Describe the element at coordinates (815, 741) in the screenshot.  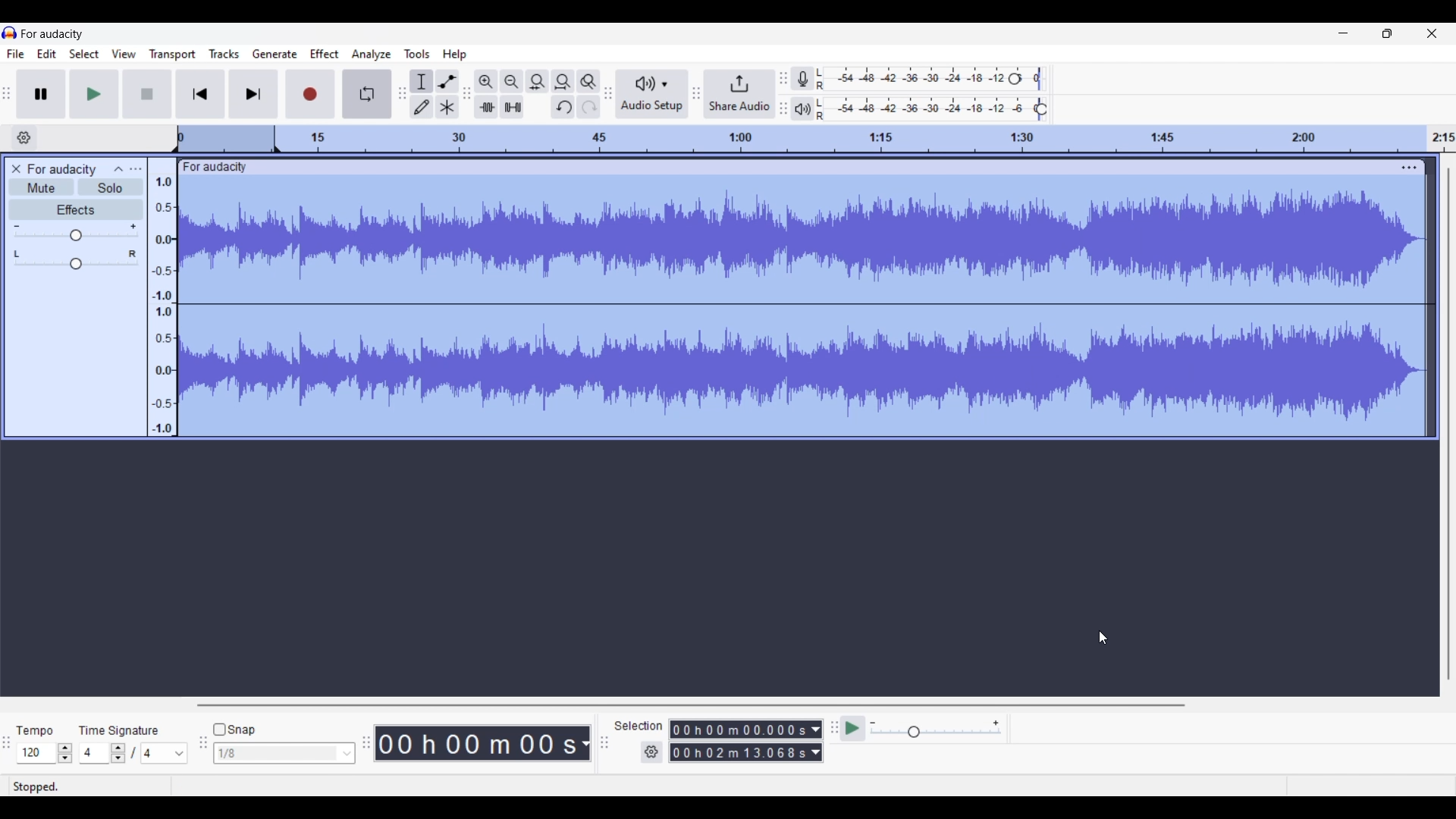
I see `Selection duration measurement` at that location.